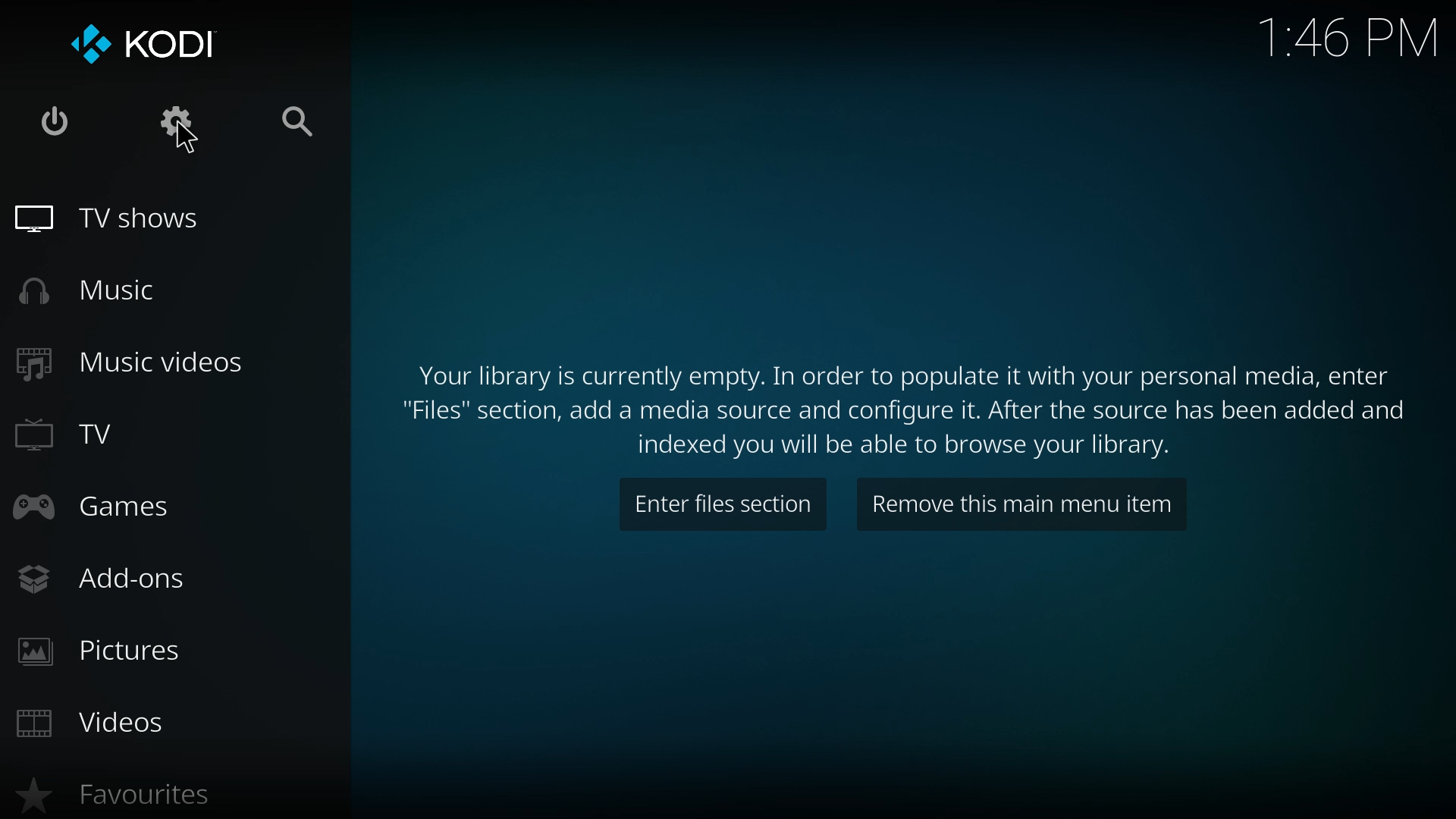 This screenshot has height=819, width=1456. What do you see at coordinates (128, 577) in the screenshot?
I see `add ons` at bounding box center [128, 577].